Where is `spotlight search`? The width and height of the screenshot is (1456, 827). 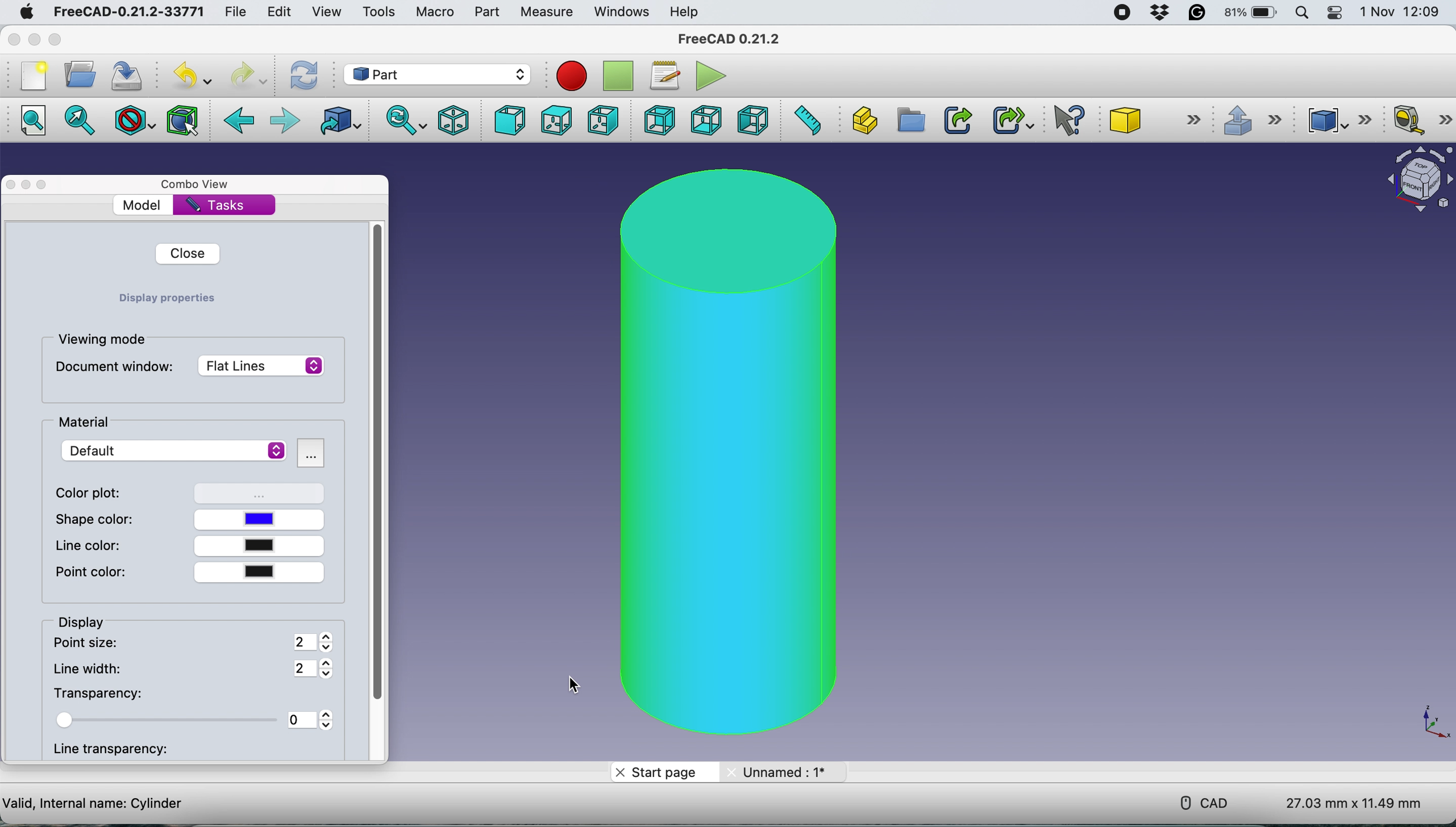
spotlight search is located at coordinates (1304, 13).